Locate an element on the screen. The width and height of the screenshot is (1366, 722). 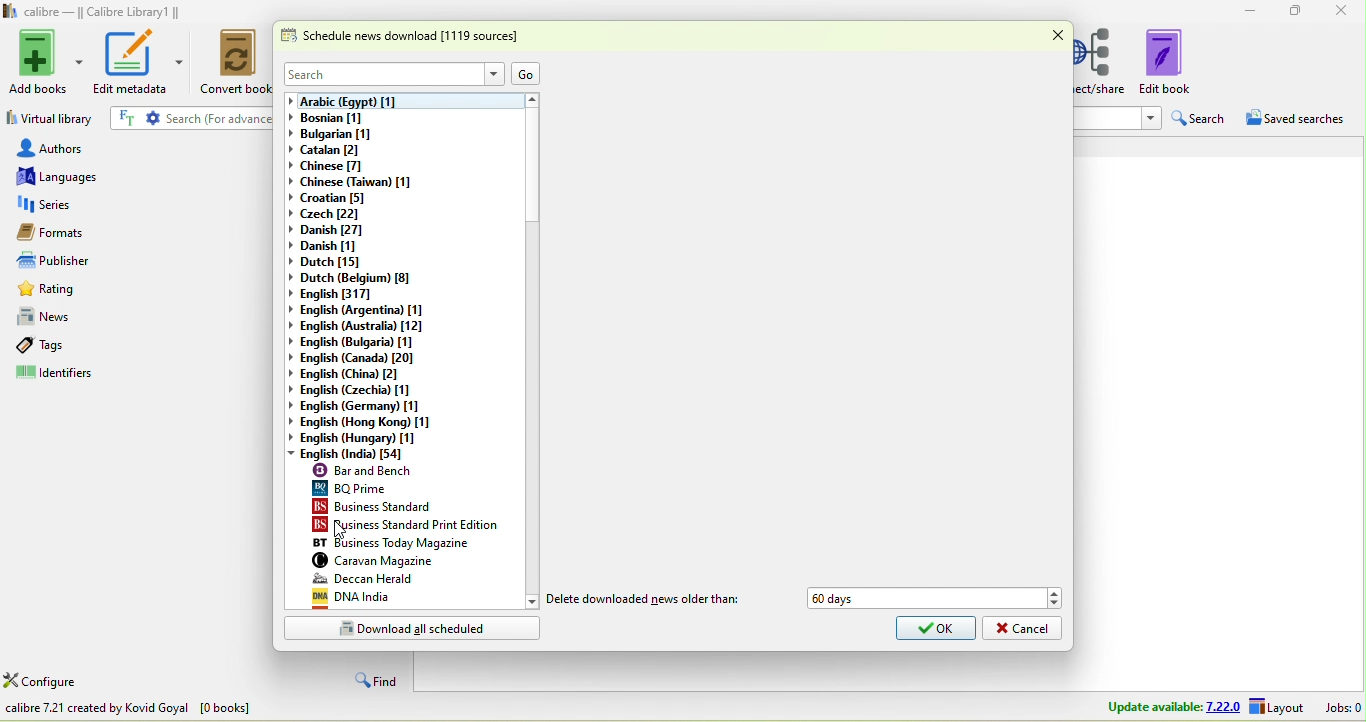
news is located at coordinates (143, 319).